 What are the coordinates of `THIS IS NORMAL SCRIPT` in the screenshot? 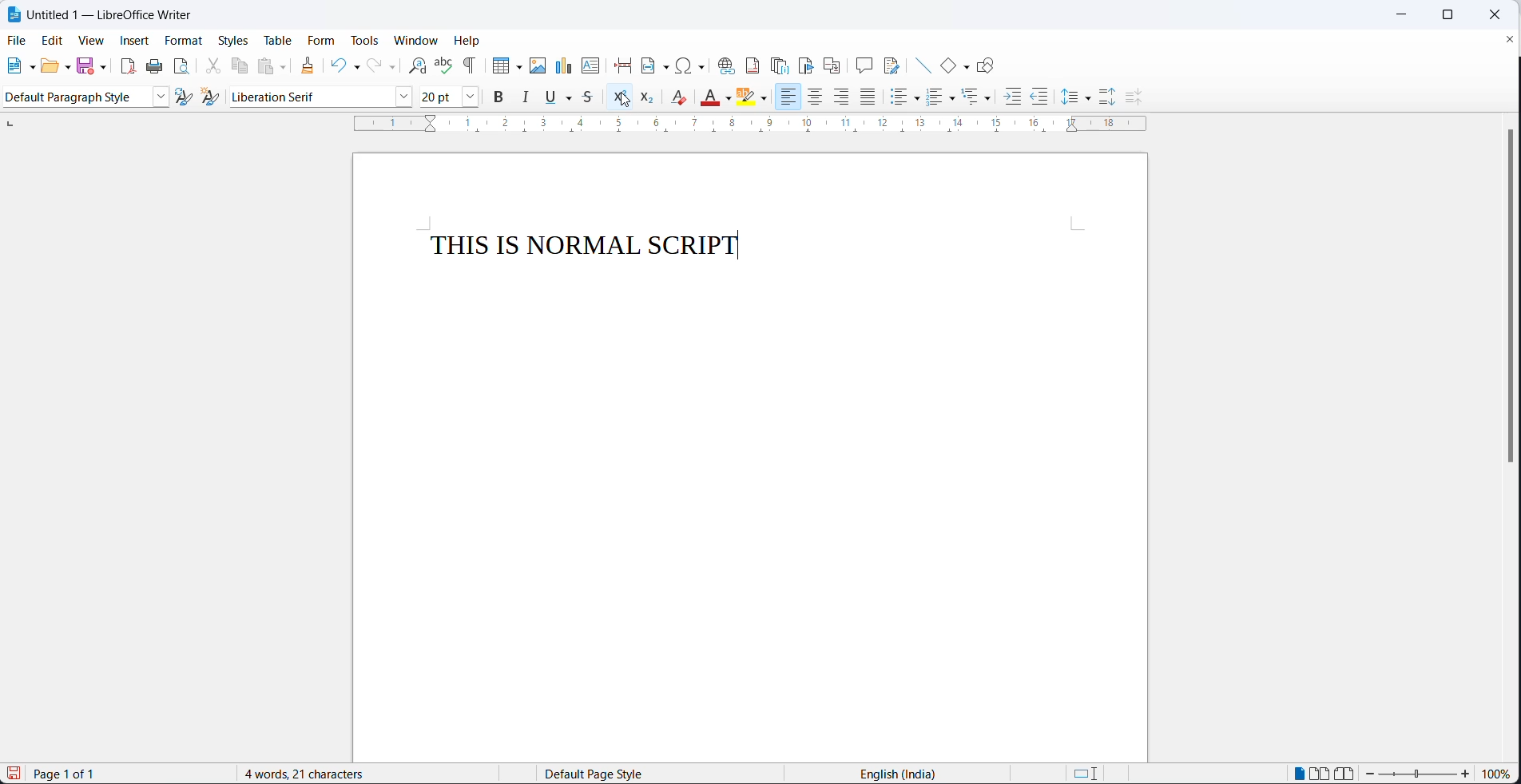 It's located at (591, 247).